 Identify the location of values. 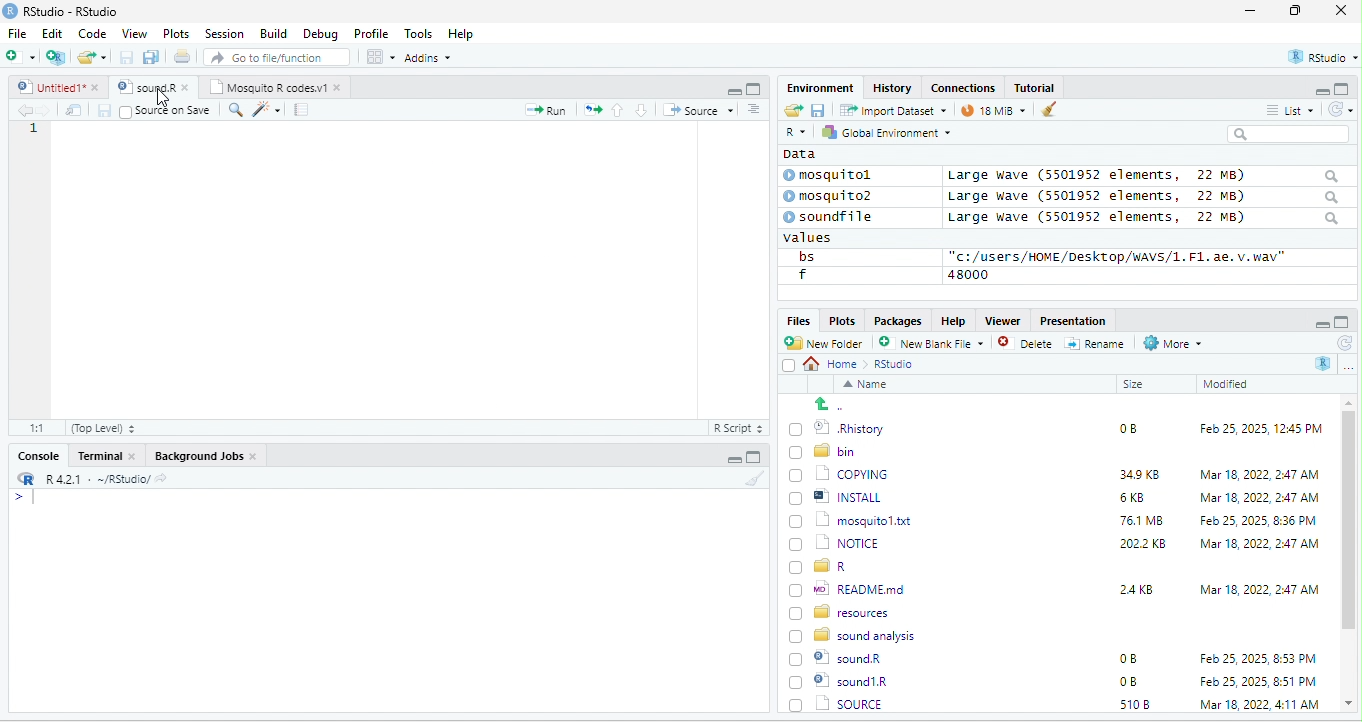
(818, 238).